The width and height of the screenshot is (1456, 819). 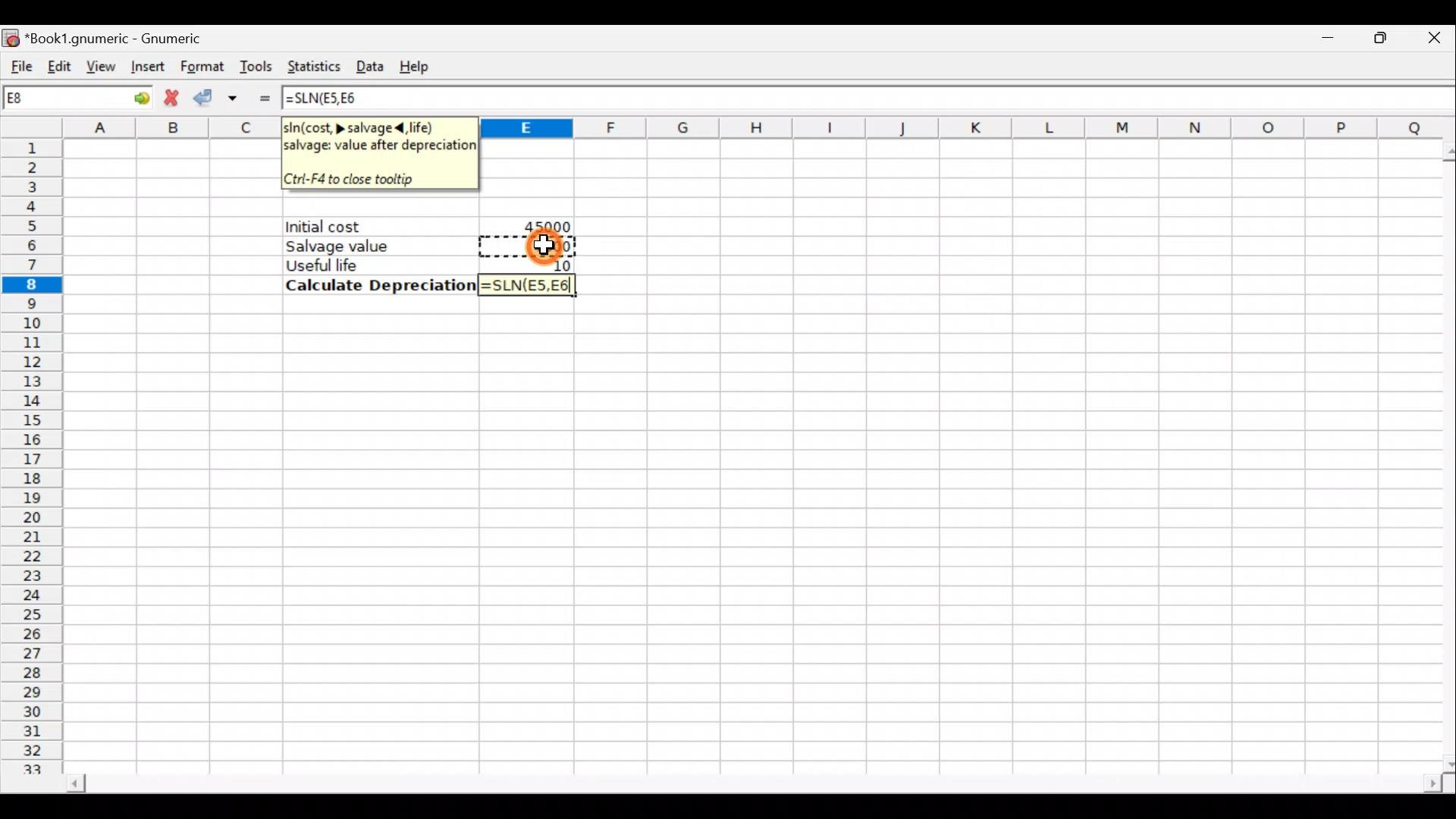 I want to click on Rows, so click(x=36, y=458).